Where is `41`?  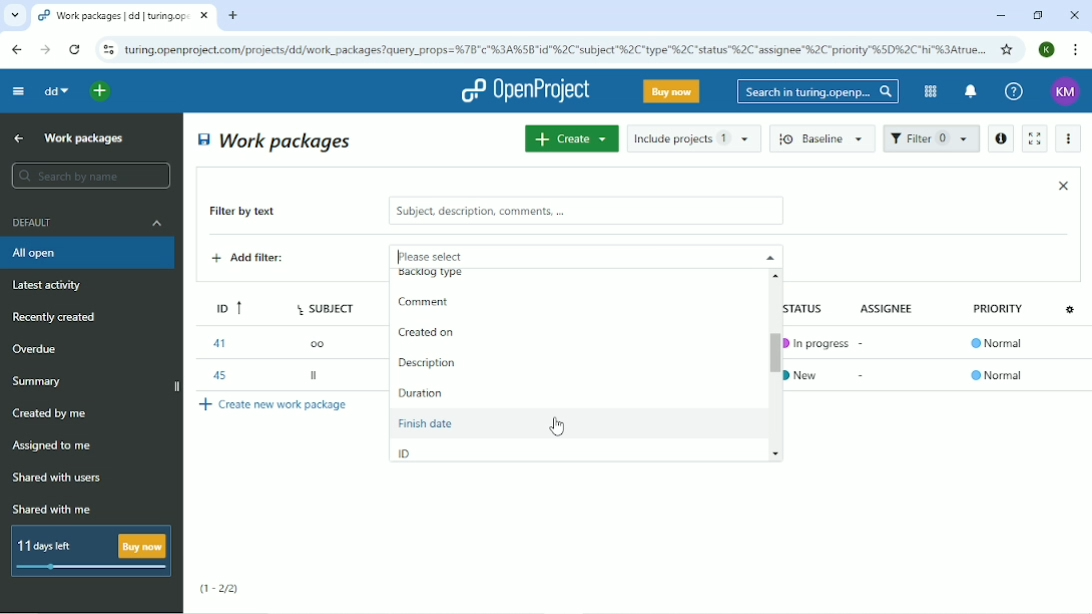
41 is located at coordinates (218, 343).